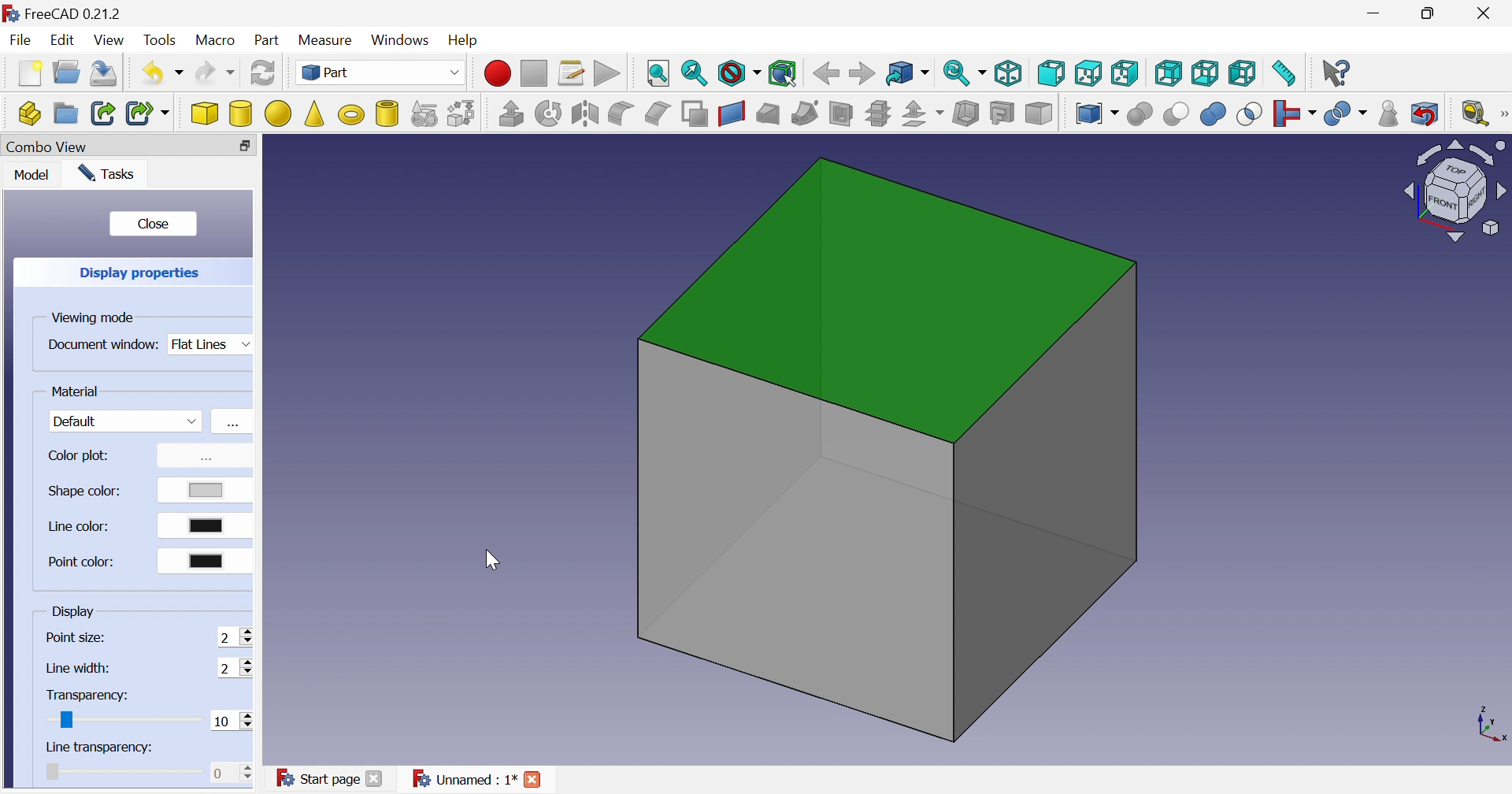  Describe the element at coordinates (1170, 73) in the screenshot. I see `Rear` at that location.